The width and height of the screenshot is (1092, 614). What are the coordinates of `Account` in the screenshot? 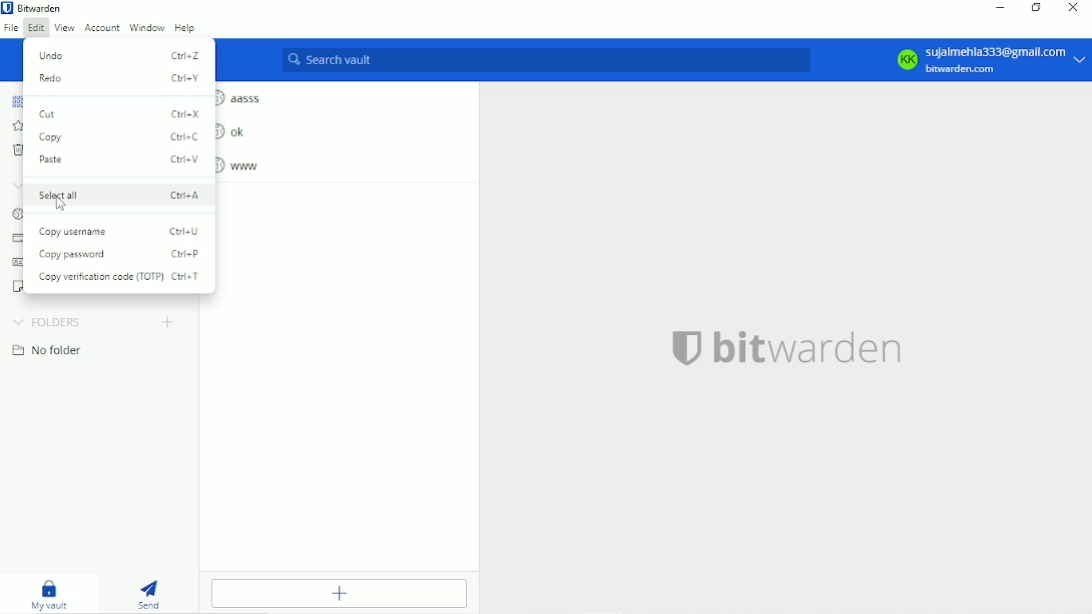 It's located at (103, 29).